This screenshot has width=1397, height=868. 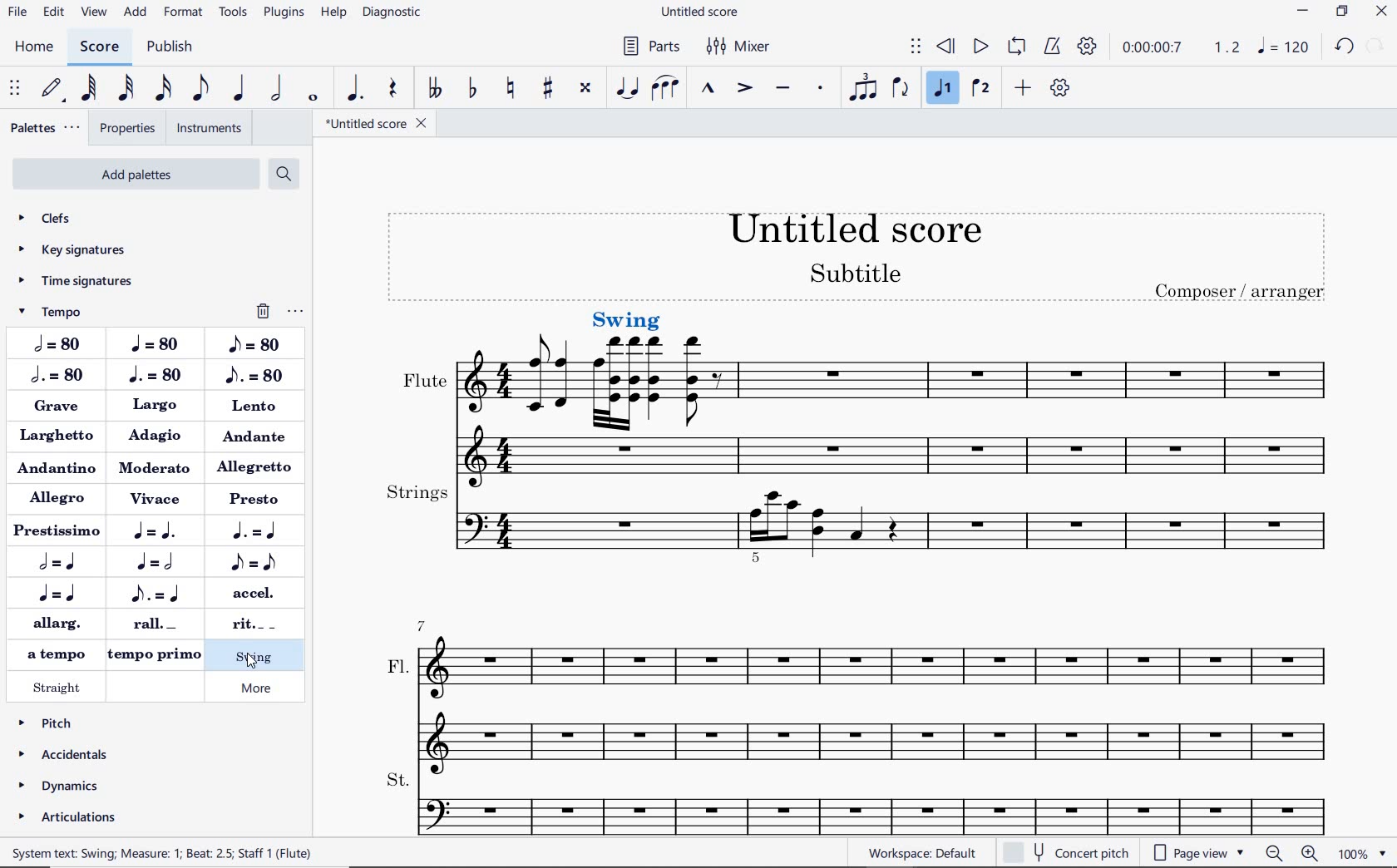 I want to click on STACCATO, so click(x=821, y=89).